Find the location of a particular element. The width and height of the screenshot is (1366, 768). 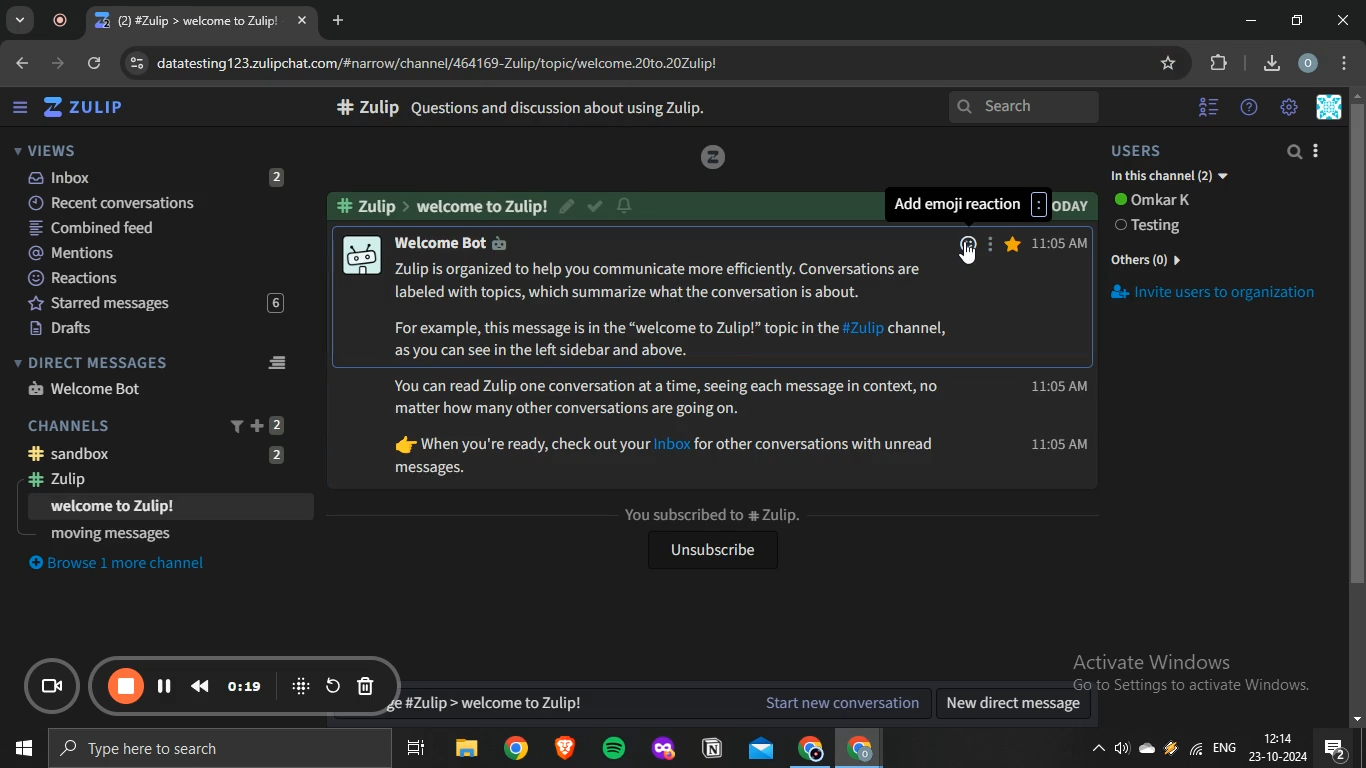

cursor is located at coordinates (974, 258).